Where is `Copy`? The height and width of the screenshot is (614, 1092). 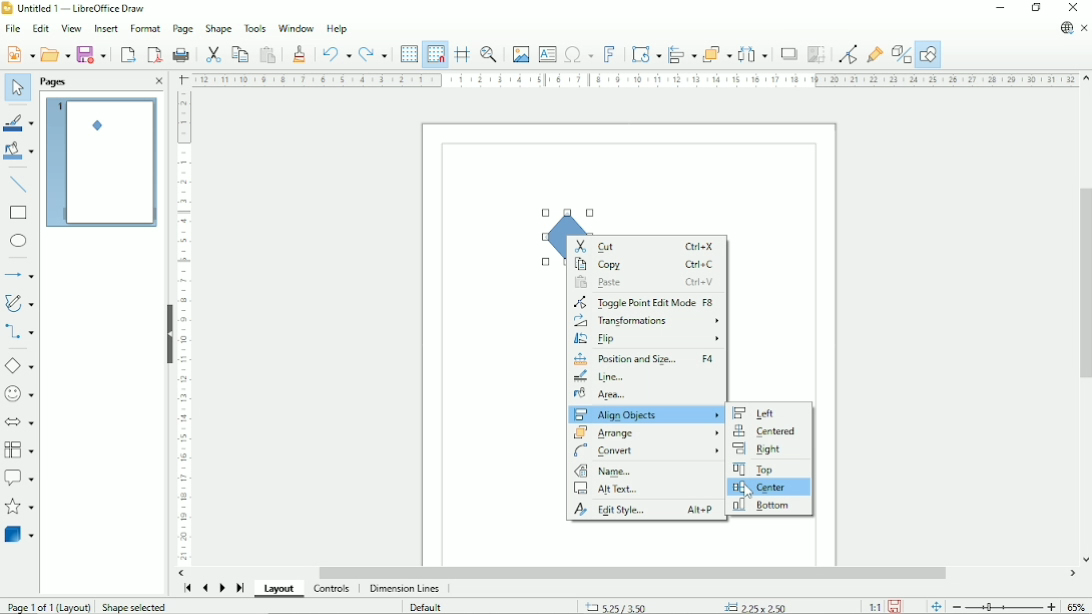
Copy is located at coordinates (645, 265).